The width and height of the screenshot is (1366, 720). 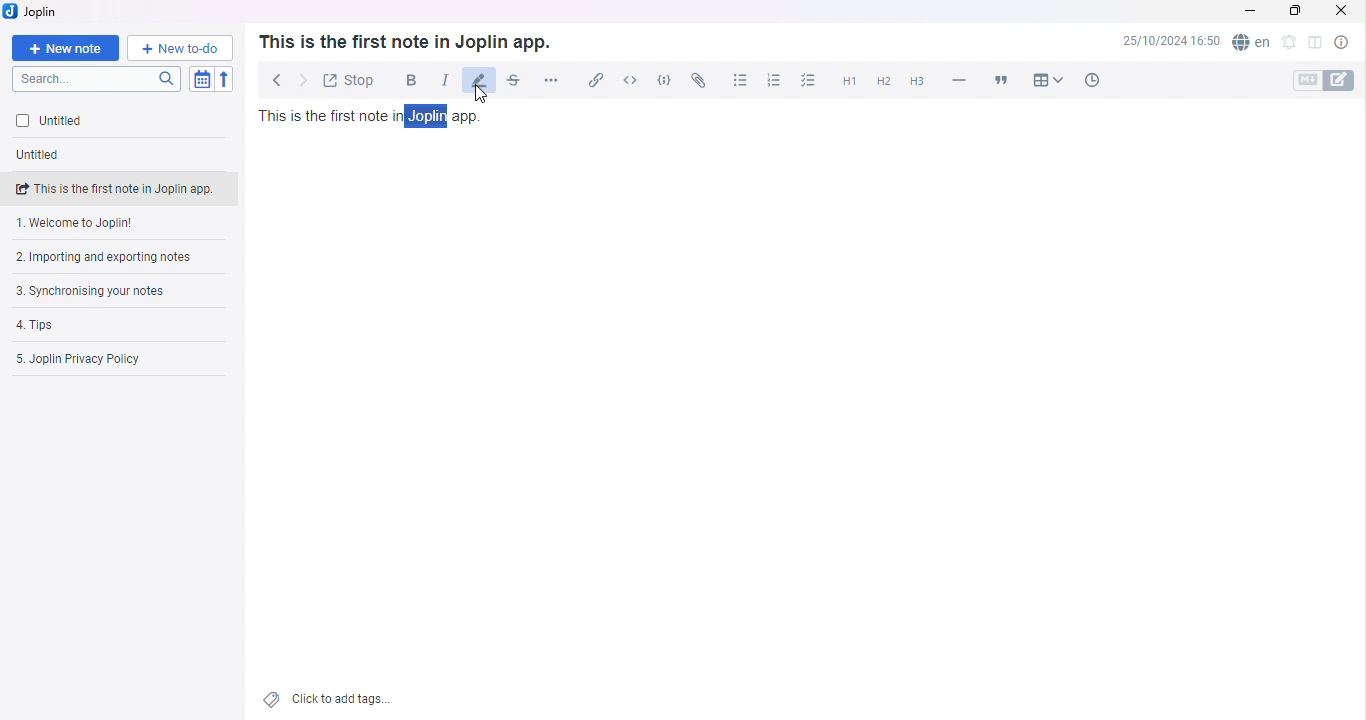 I want to click on Inline Code, so click(x=628, y=80).